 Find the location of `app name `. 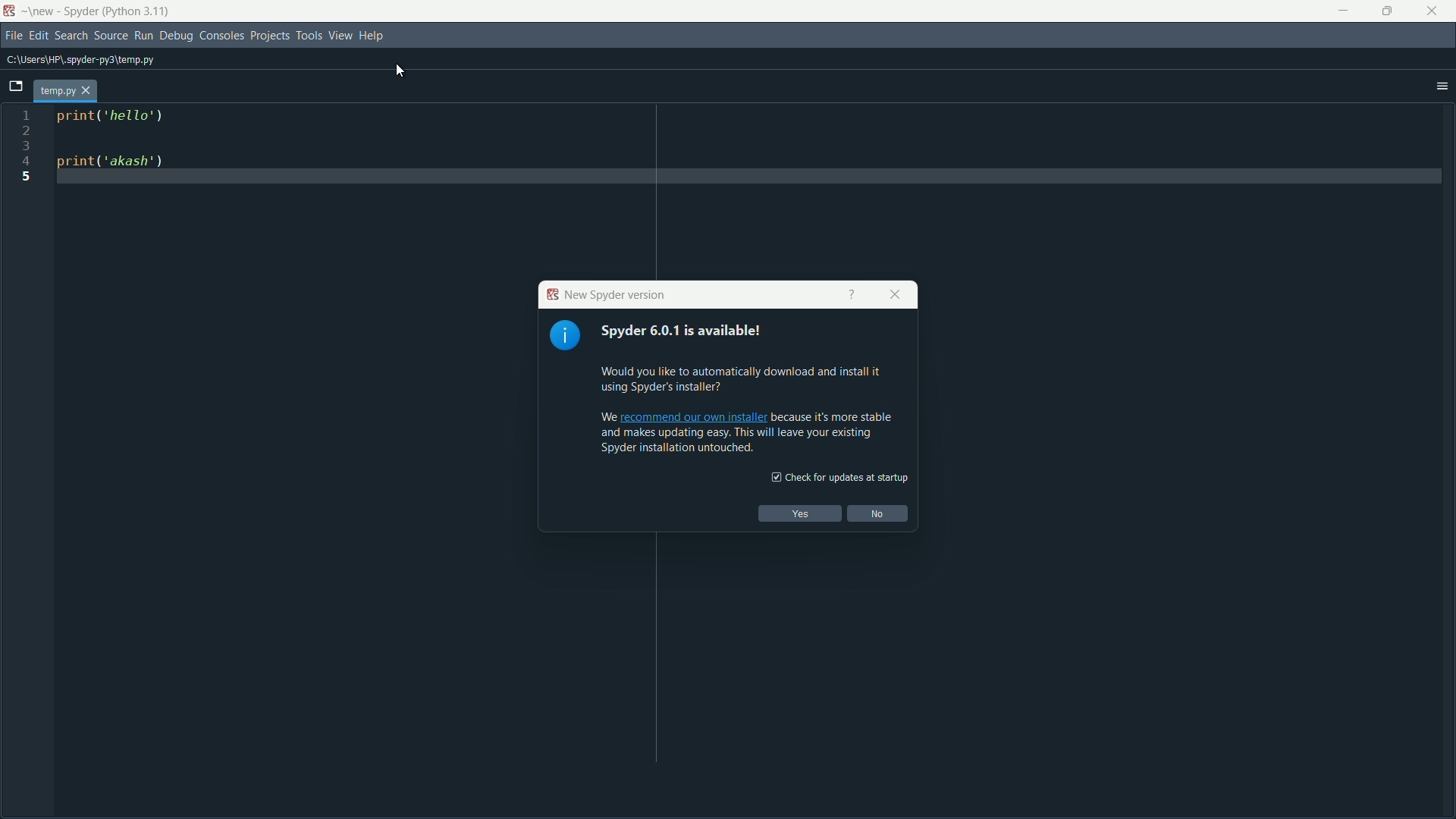

app name  is located at coordinates (82, 11).